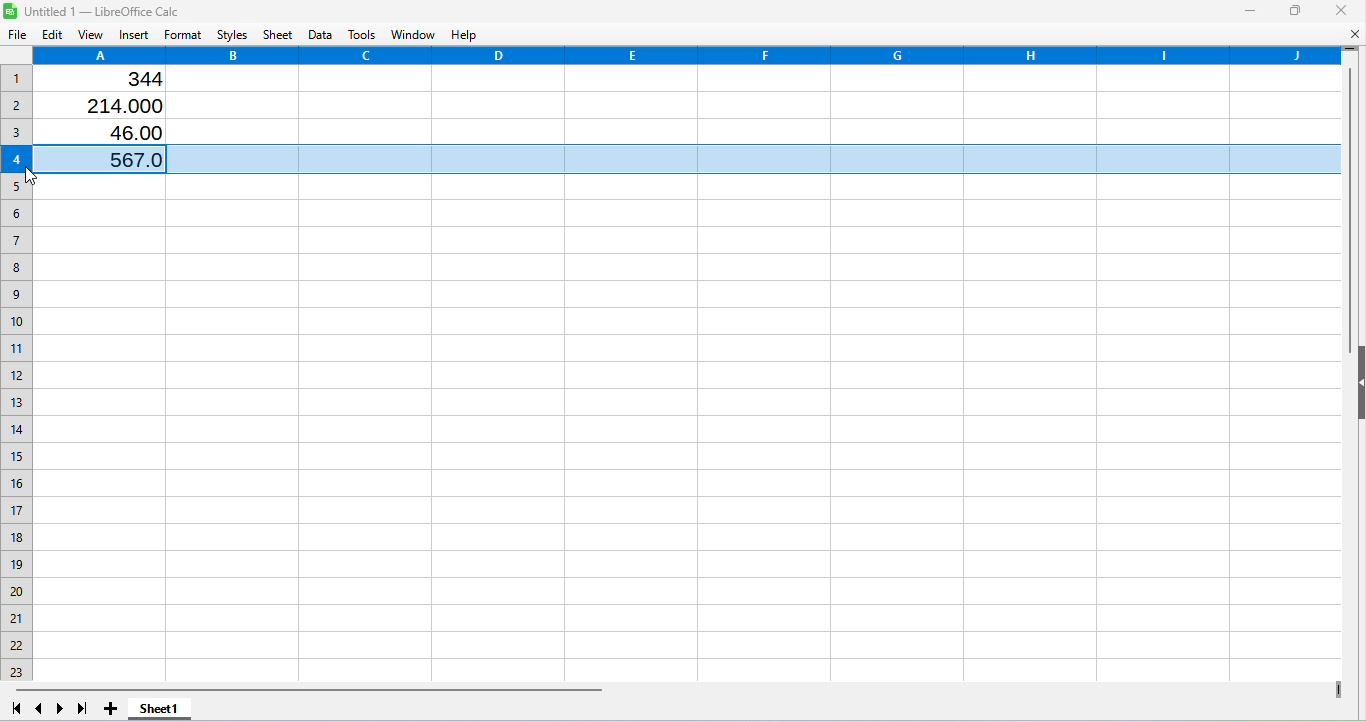 The height and width of the screenshot is (722, 1366). Describe the element at coordinates (101, 10) in the screenshot. I see `Untitled 1 — LibreOffice Calc` at that location.